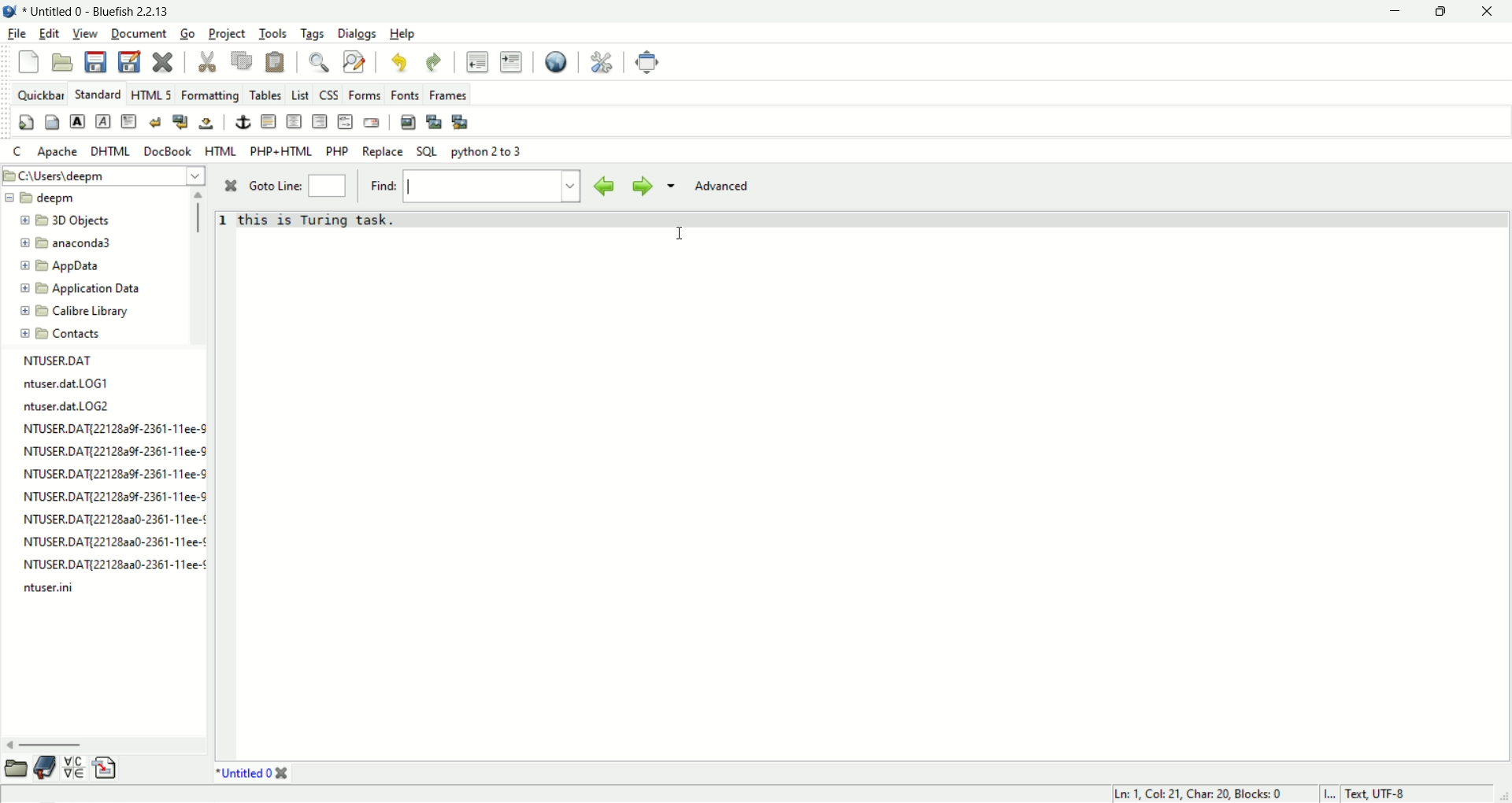 The width and height of the screenshot is (1512, 803). What do you see at coordinates (9, 9) in the screenshot?
I see `application icon` at bounding box center [9, 9].